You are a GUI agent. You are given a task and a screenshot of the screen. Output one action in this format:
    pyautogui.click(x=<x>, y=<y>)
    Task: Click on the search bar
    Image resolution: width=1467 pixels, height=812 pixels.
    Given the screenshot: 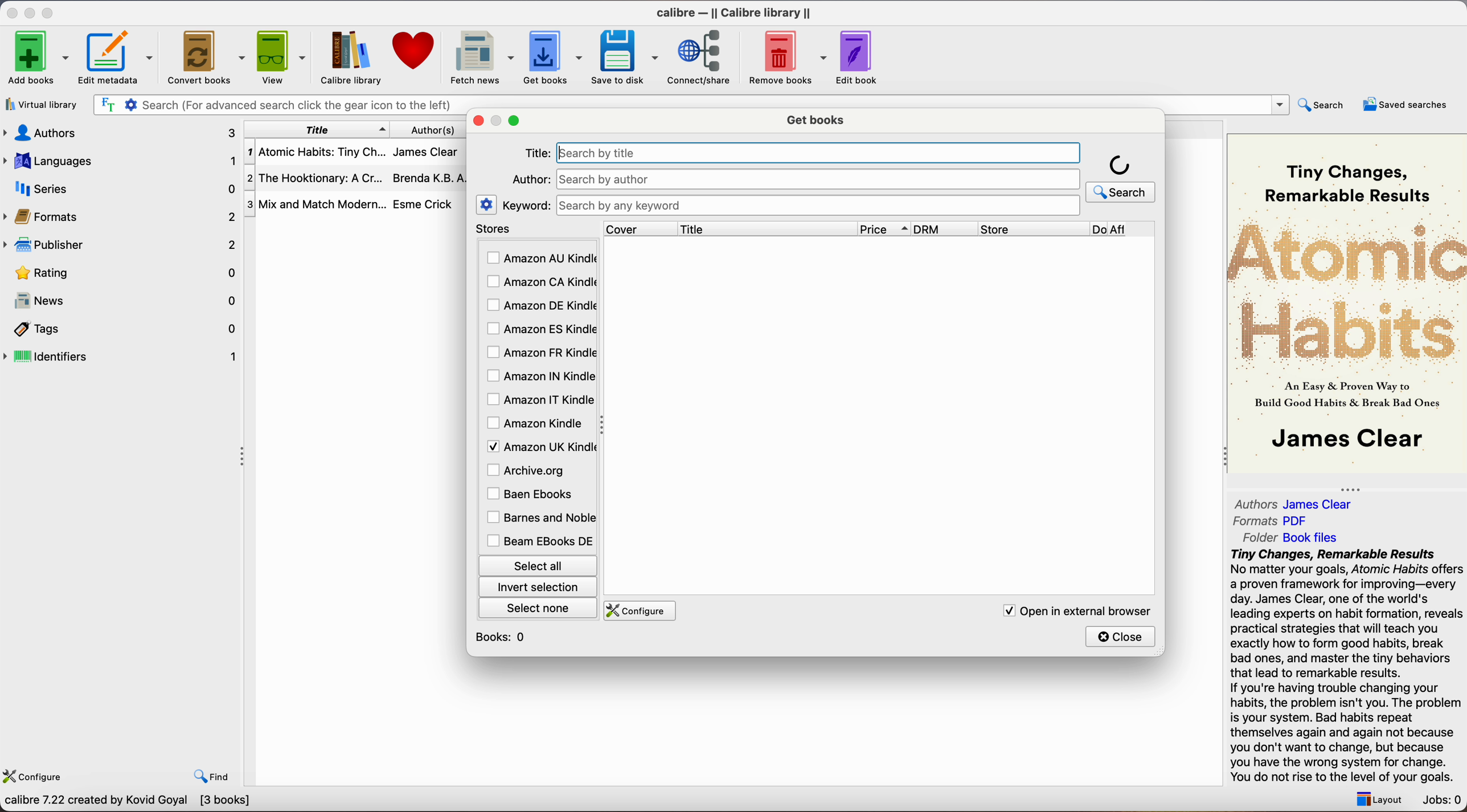 What is the action you would take?
    pyautogui.click(x=817, y=206)
    